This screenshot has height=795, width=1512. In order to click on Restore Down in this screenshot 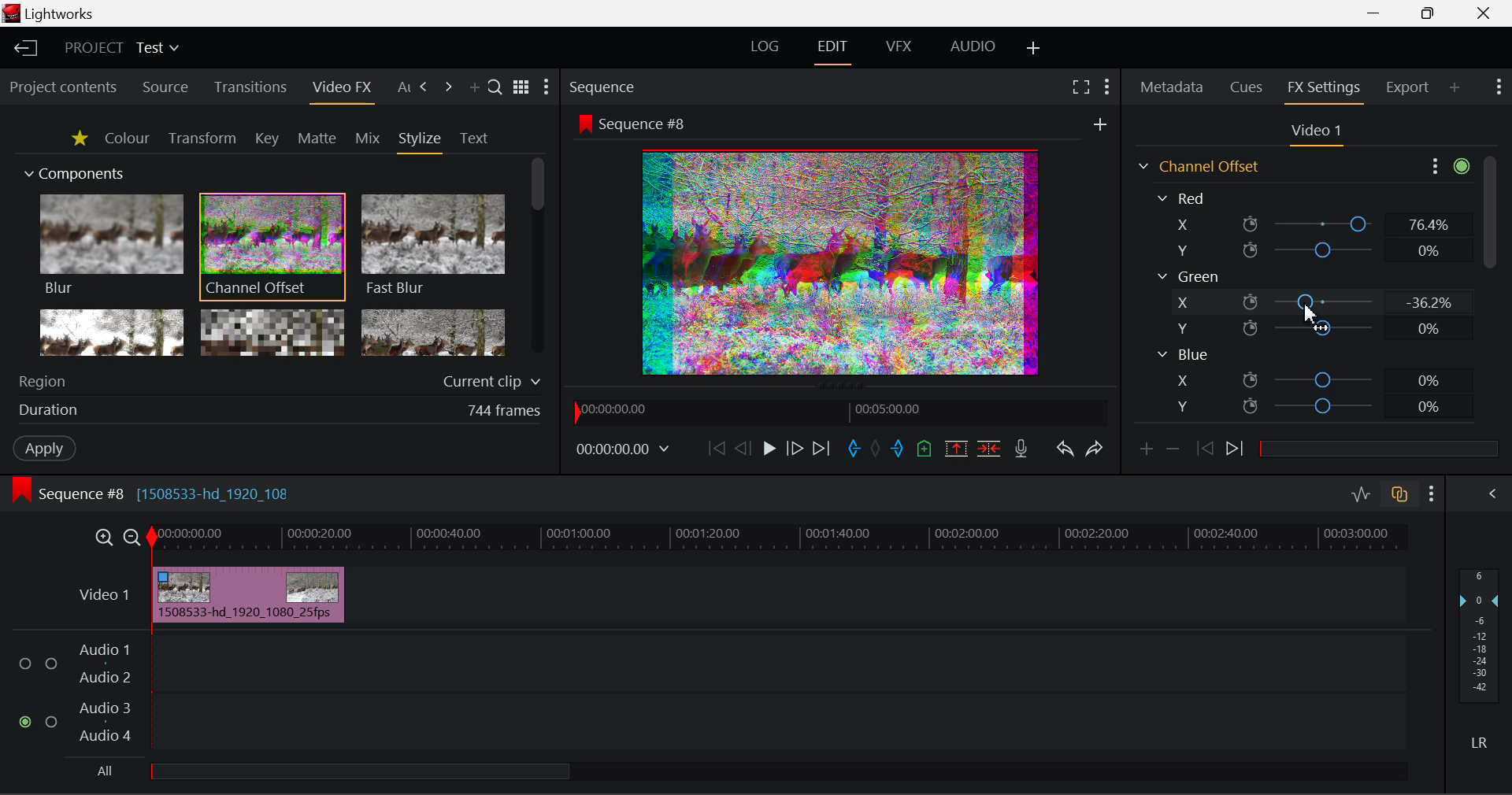, I will do `click(1379, 14)`.